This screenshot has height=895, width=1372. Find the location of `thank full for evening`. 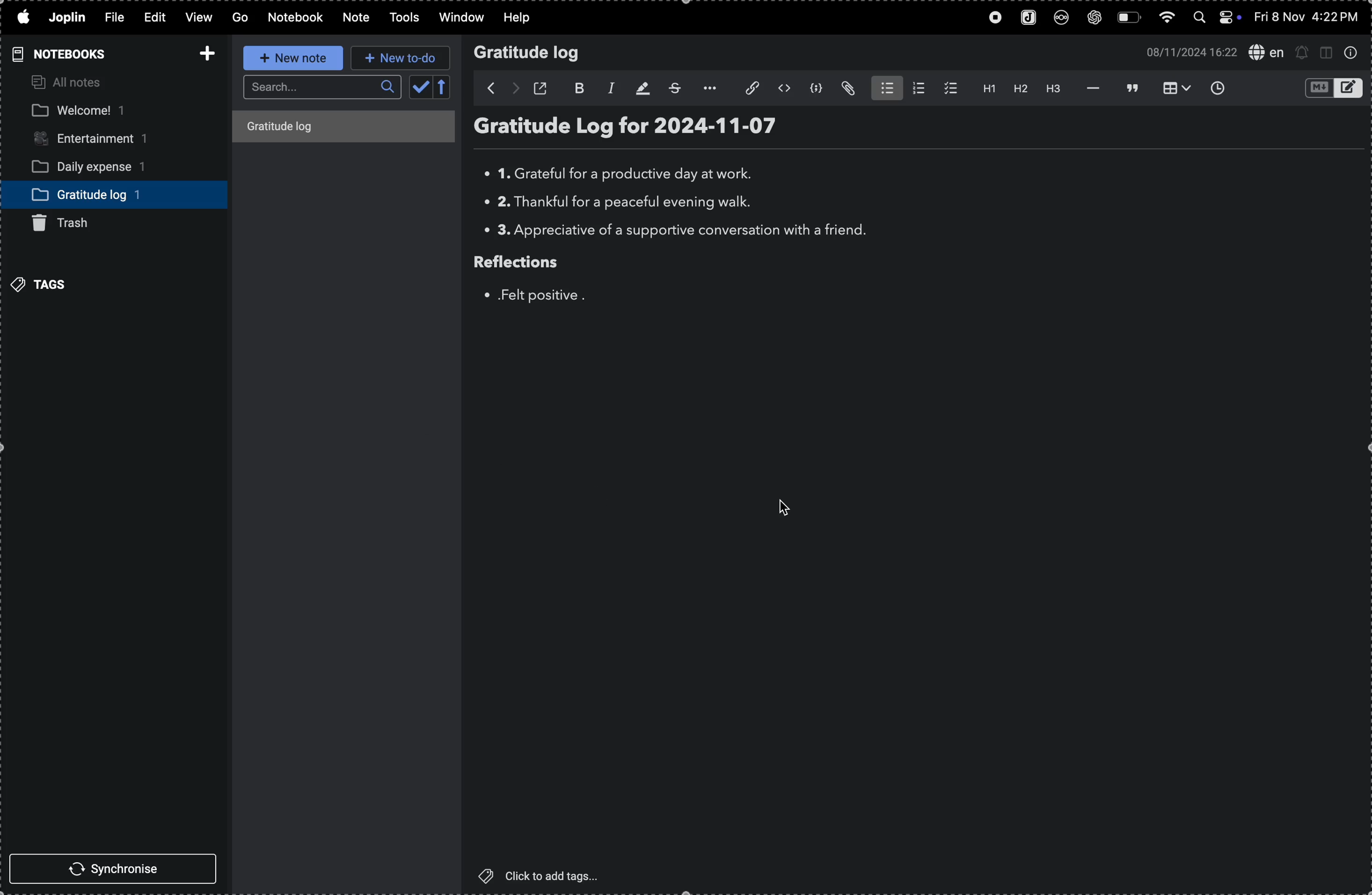

thank full for evening is located at coordinates (617, 205).